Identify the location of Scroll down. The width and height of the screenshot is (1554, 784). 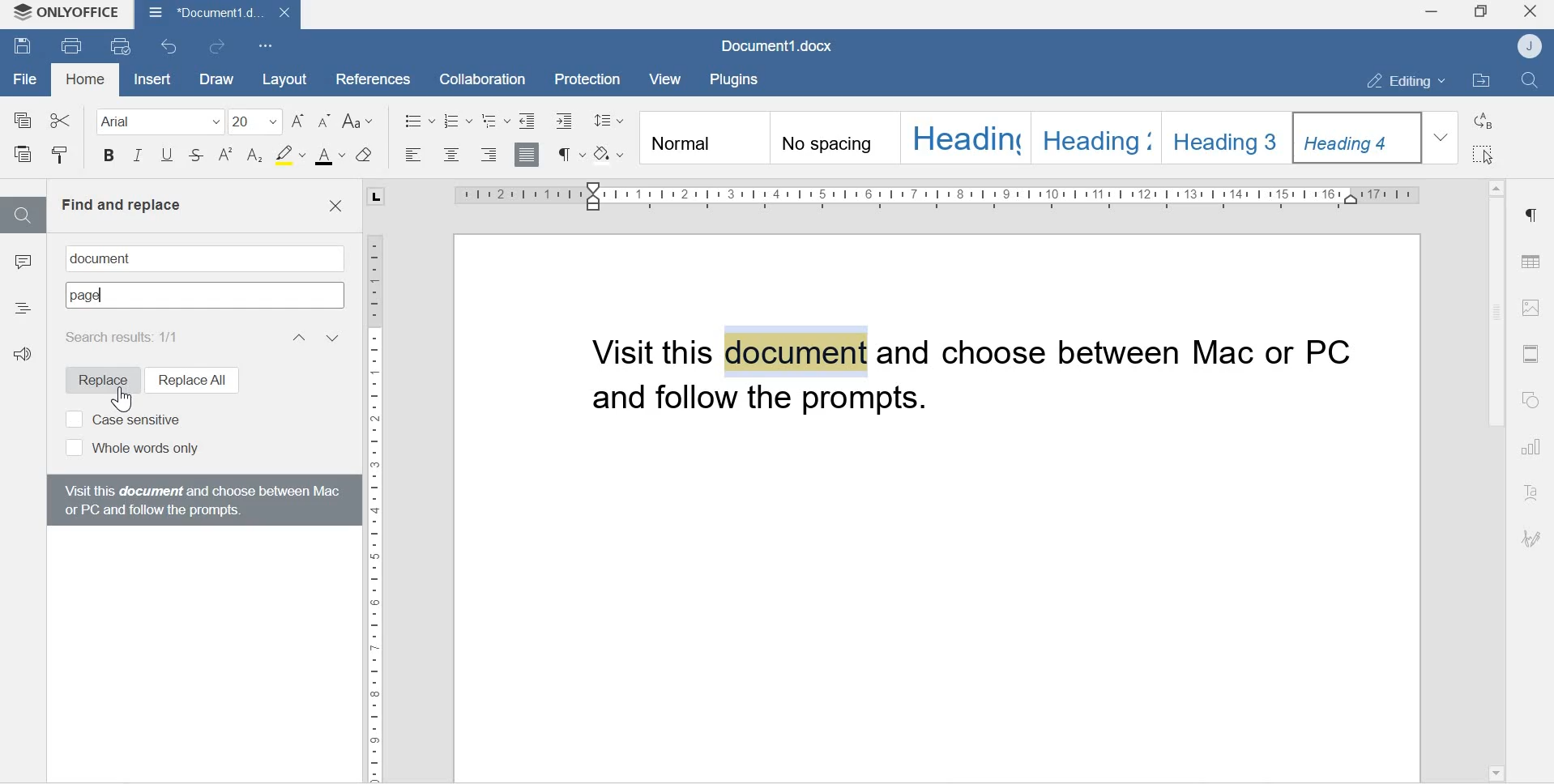
(1495, 771).